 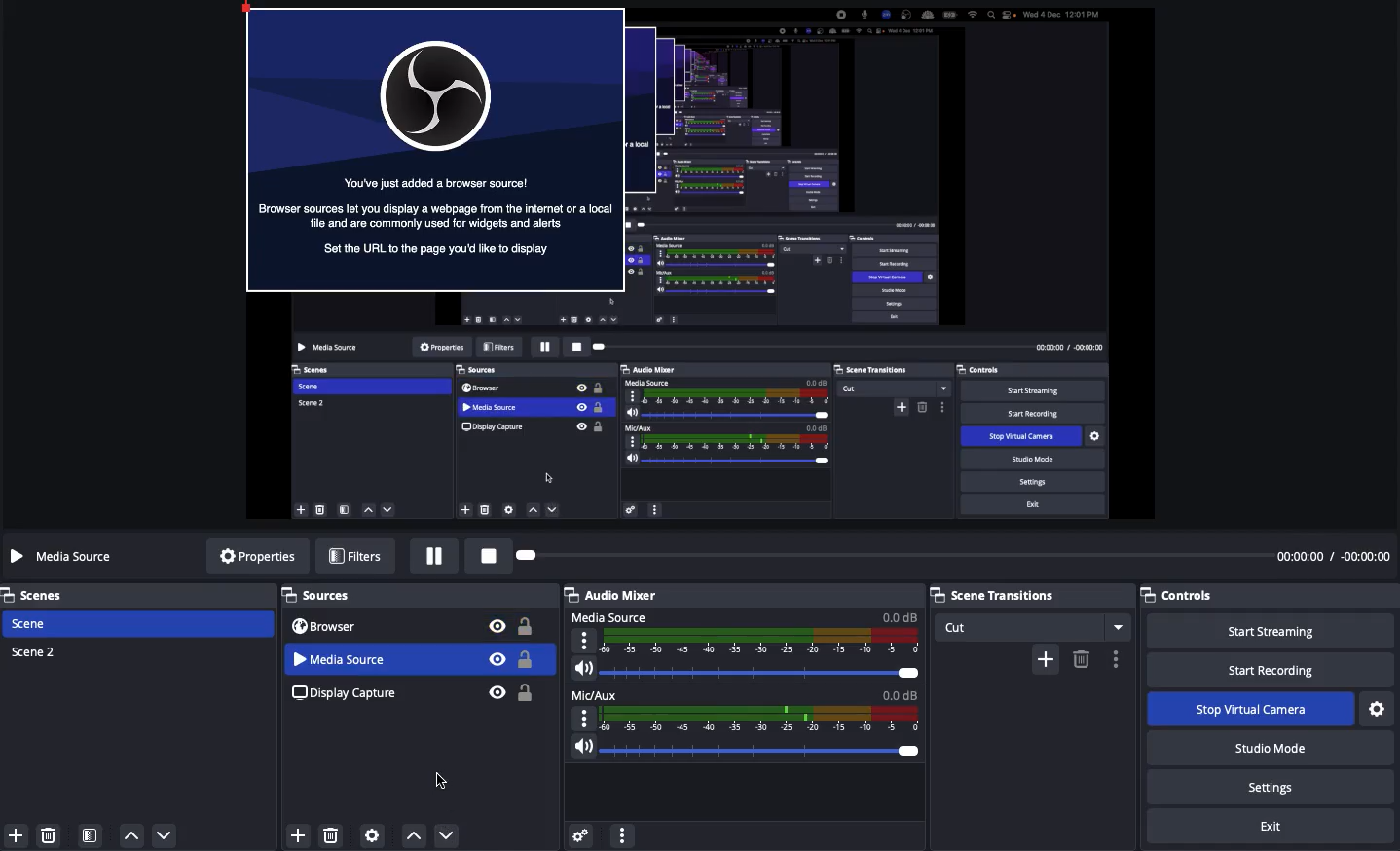 What do you see at coordinates (16, 835) in the screenshot?
I see `Add` at bounding box center [16, 835].